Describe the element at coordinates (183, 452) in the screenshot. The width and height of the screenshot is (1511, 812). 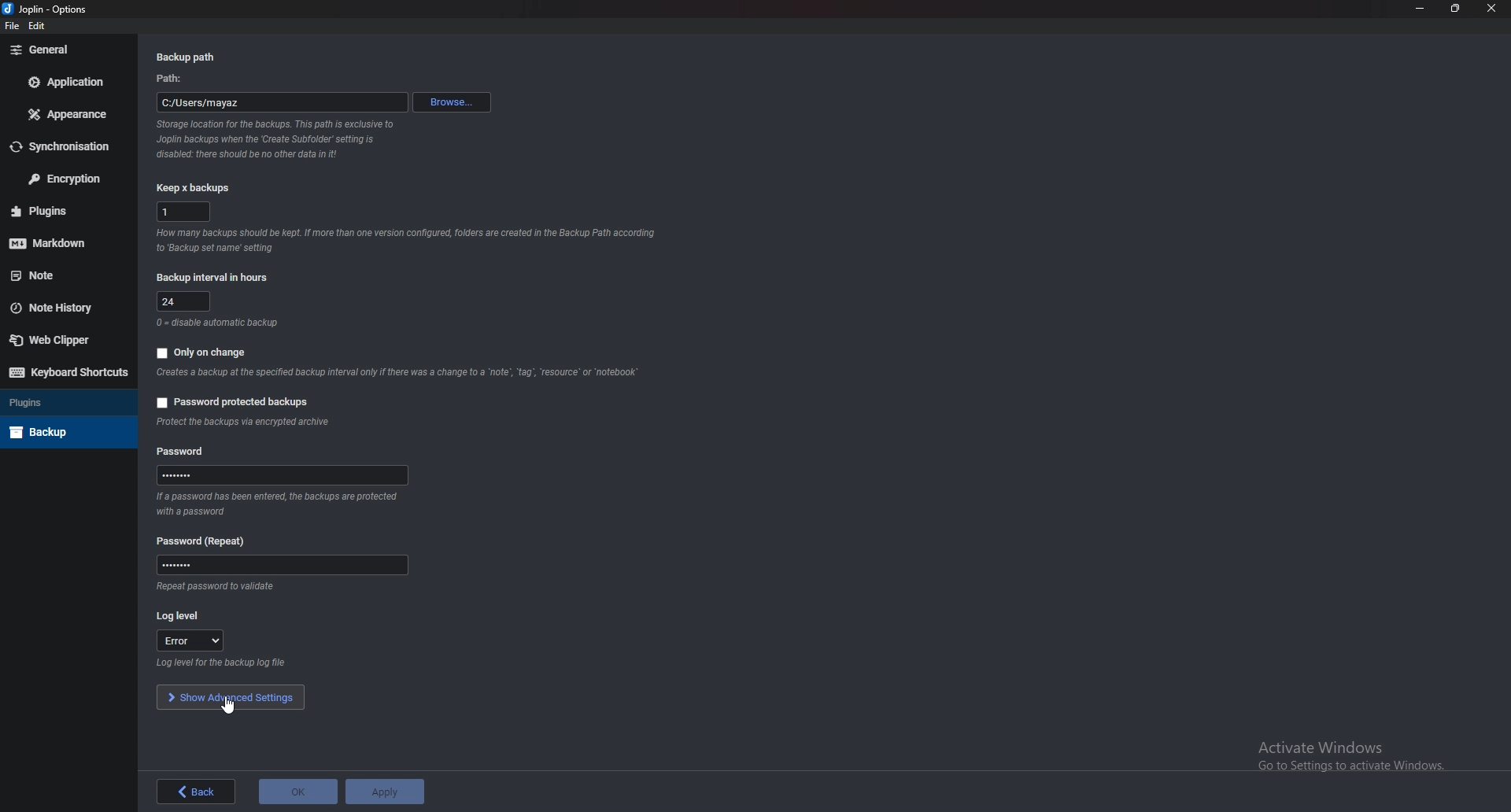
I see `Password` at that location.